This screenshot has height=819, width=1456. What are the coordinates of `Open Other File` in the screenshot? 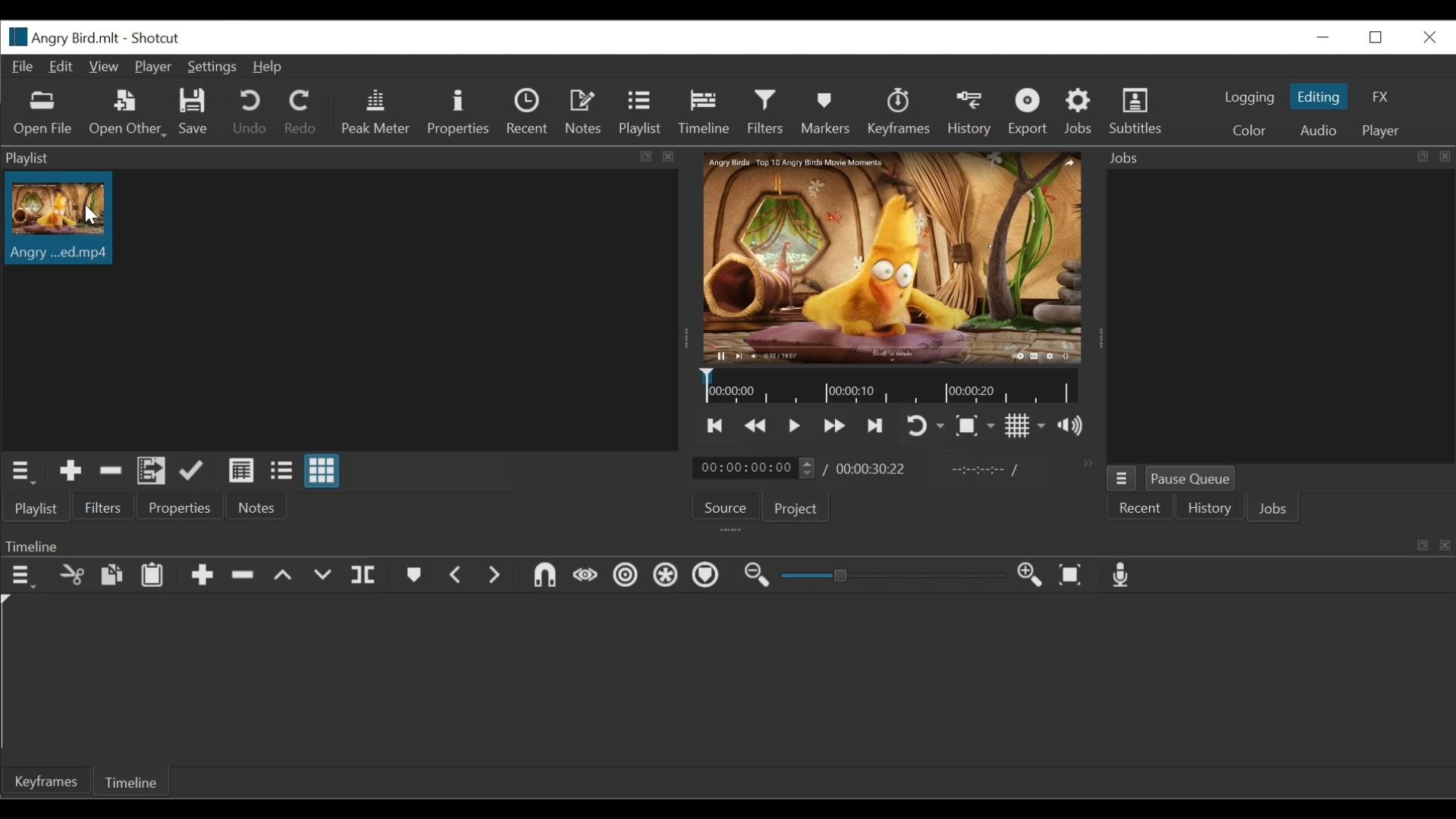 It's located at (125, 113).